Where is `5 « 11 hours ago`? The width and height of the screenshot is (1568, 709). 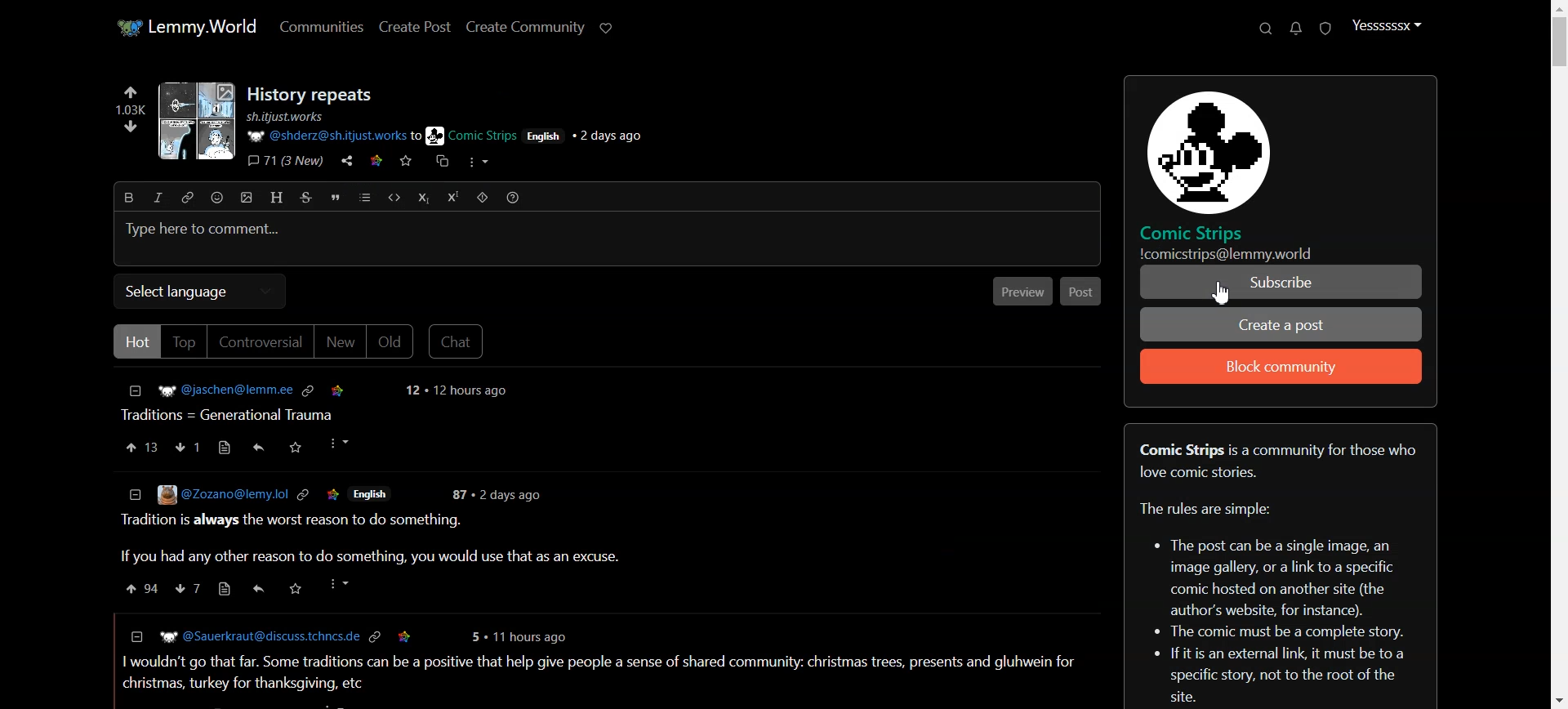 5 « 11 hours ago is located at coordinates (523, 635).